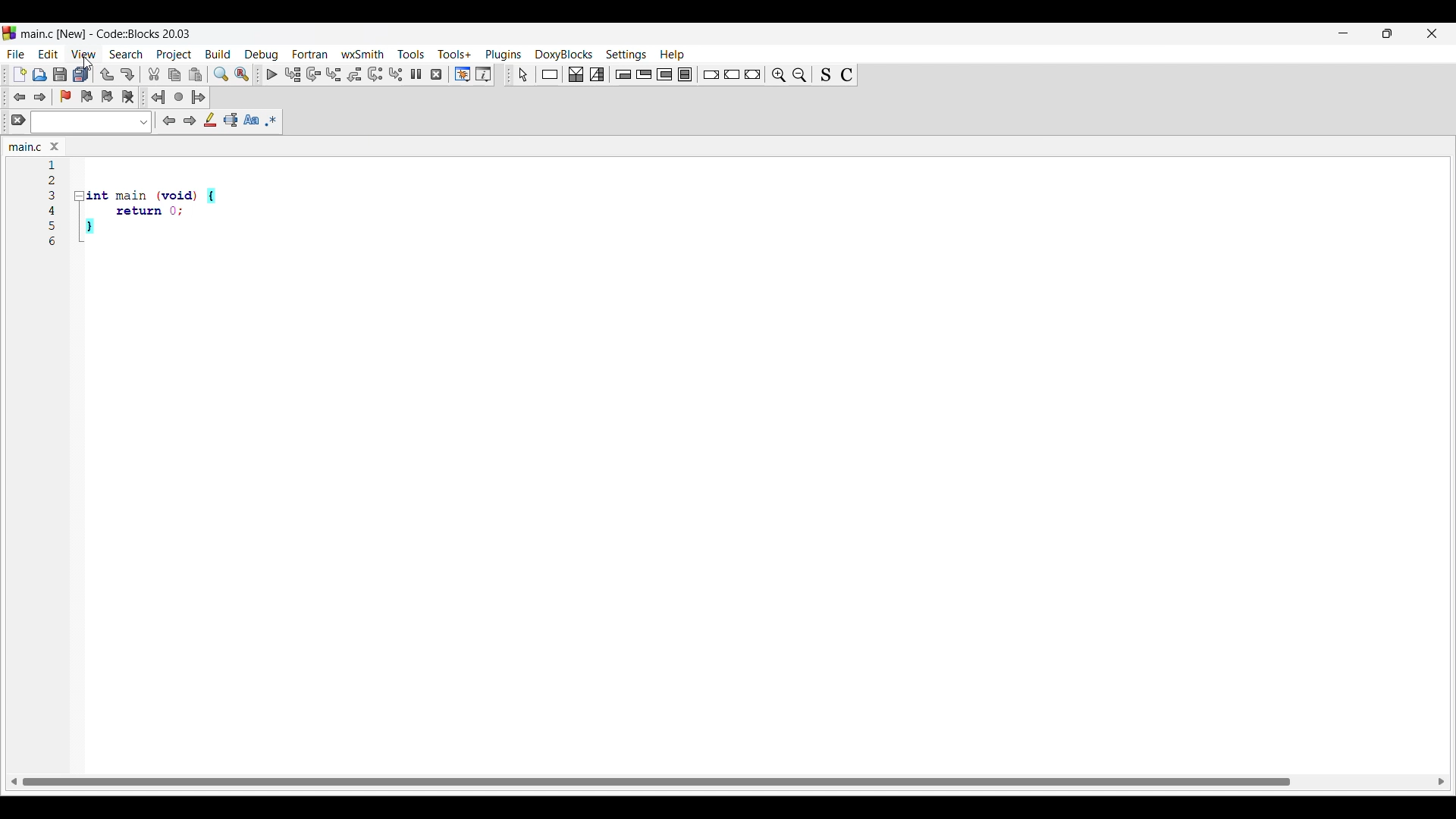 The image size is (1456, 819). What do you see at coordinates (83, 54) in the screenshot?
I see `View menu` at bounding box center [83, 54].